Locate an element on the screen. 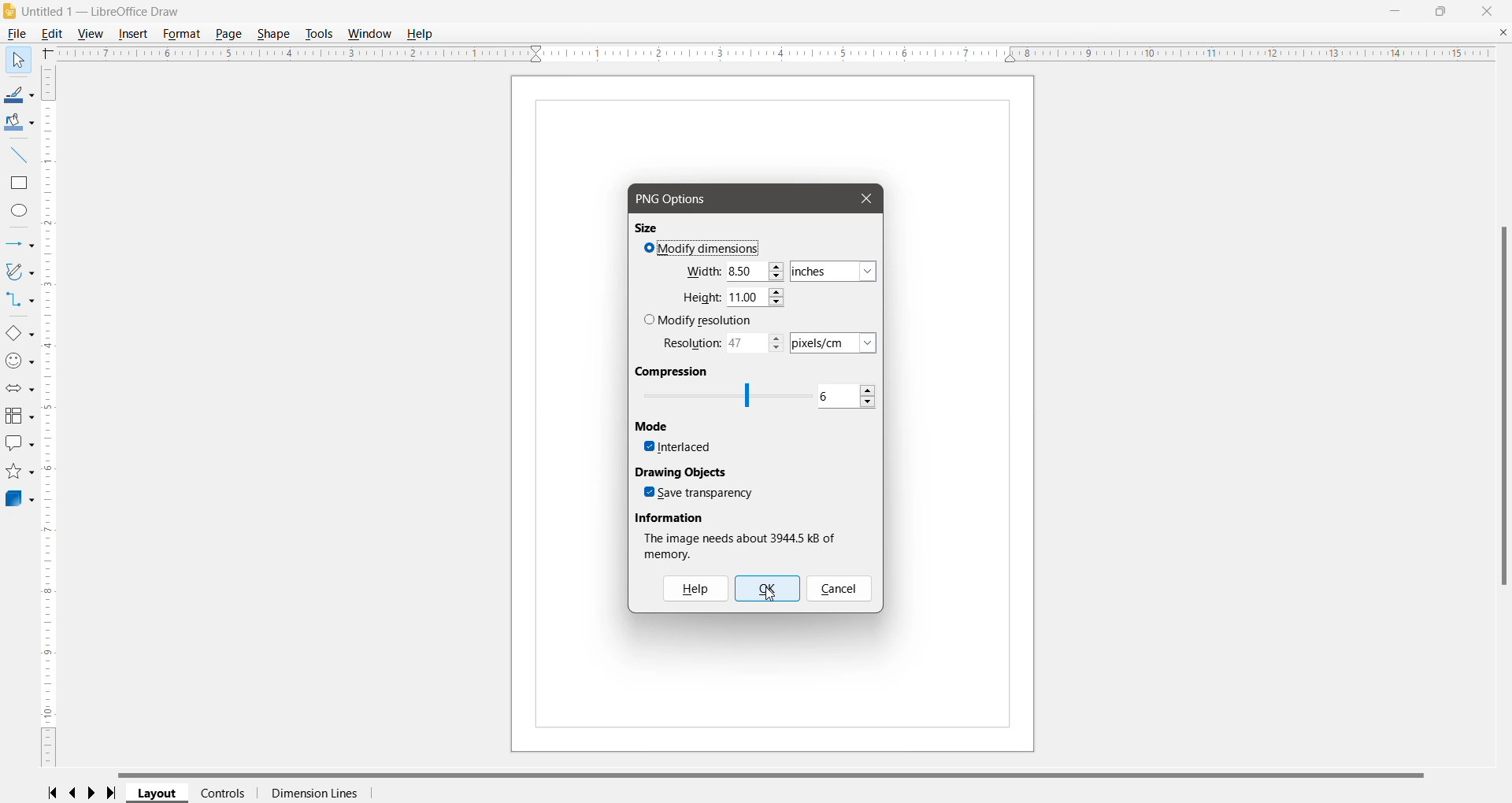 The width and height of the screenshot is (1512, 803). Close Document is located at coordinates (1503, 33).